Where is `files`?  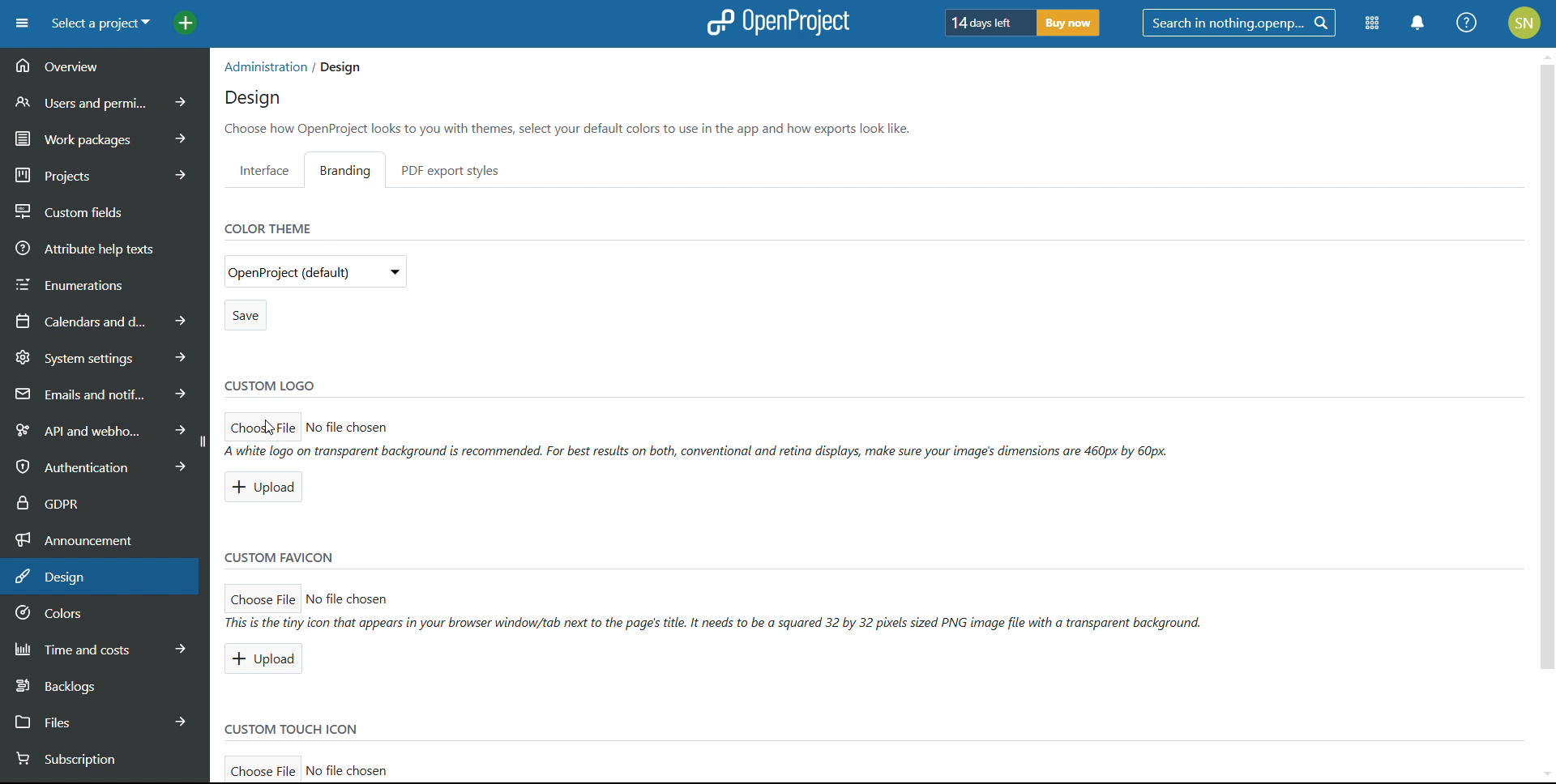
files is located at coordinates (101, 720).